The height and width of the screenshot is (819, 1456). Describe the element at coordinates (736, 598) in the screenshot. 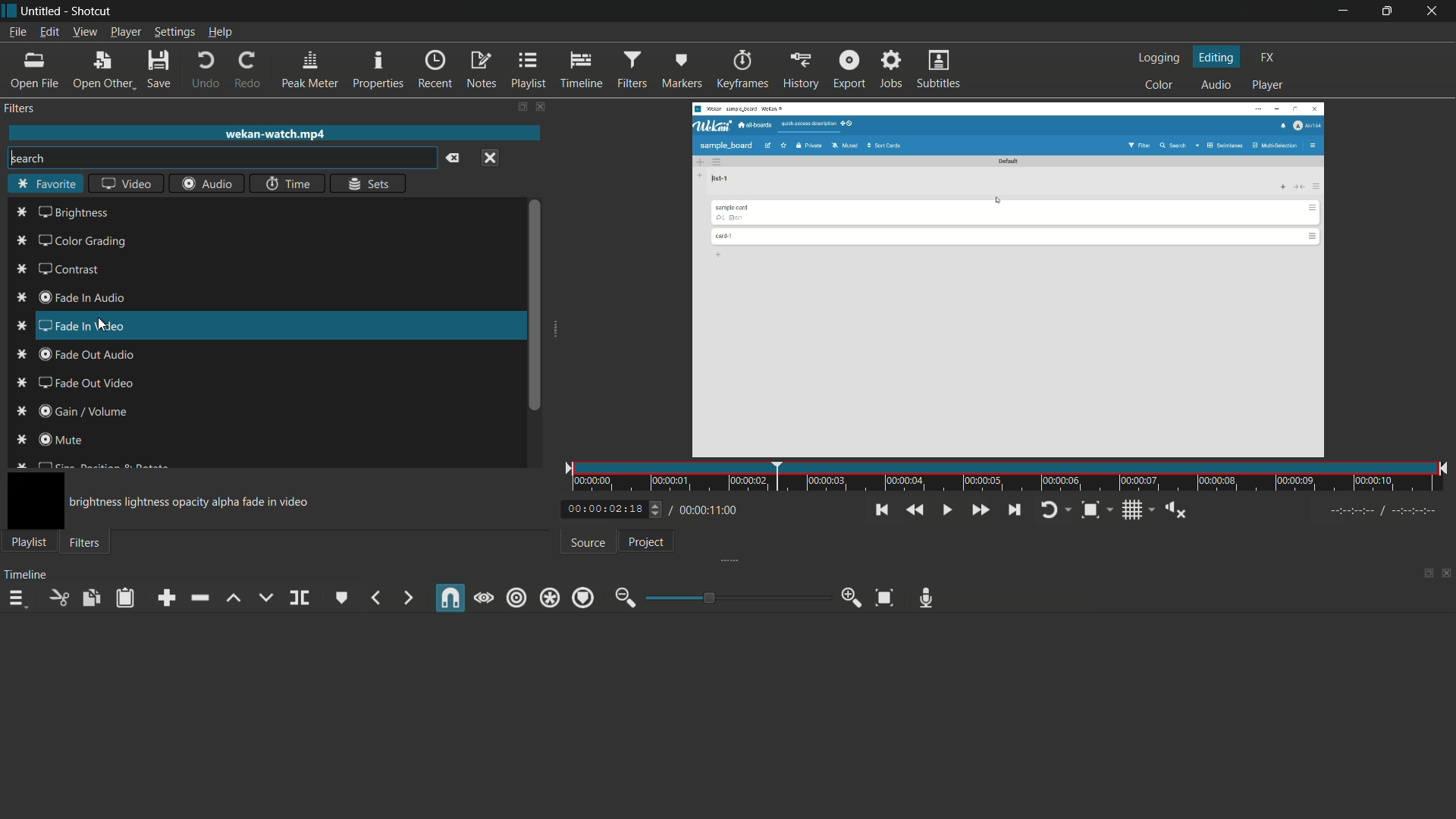

I see `adjustment bar` at that location.